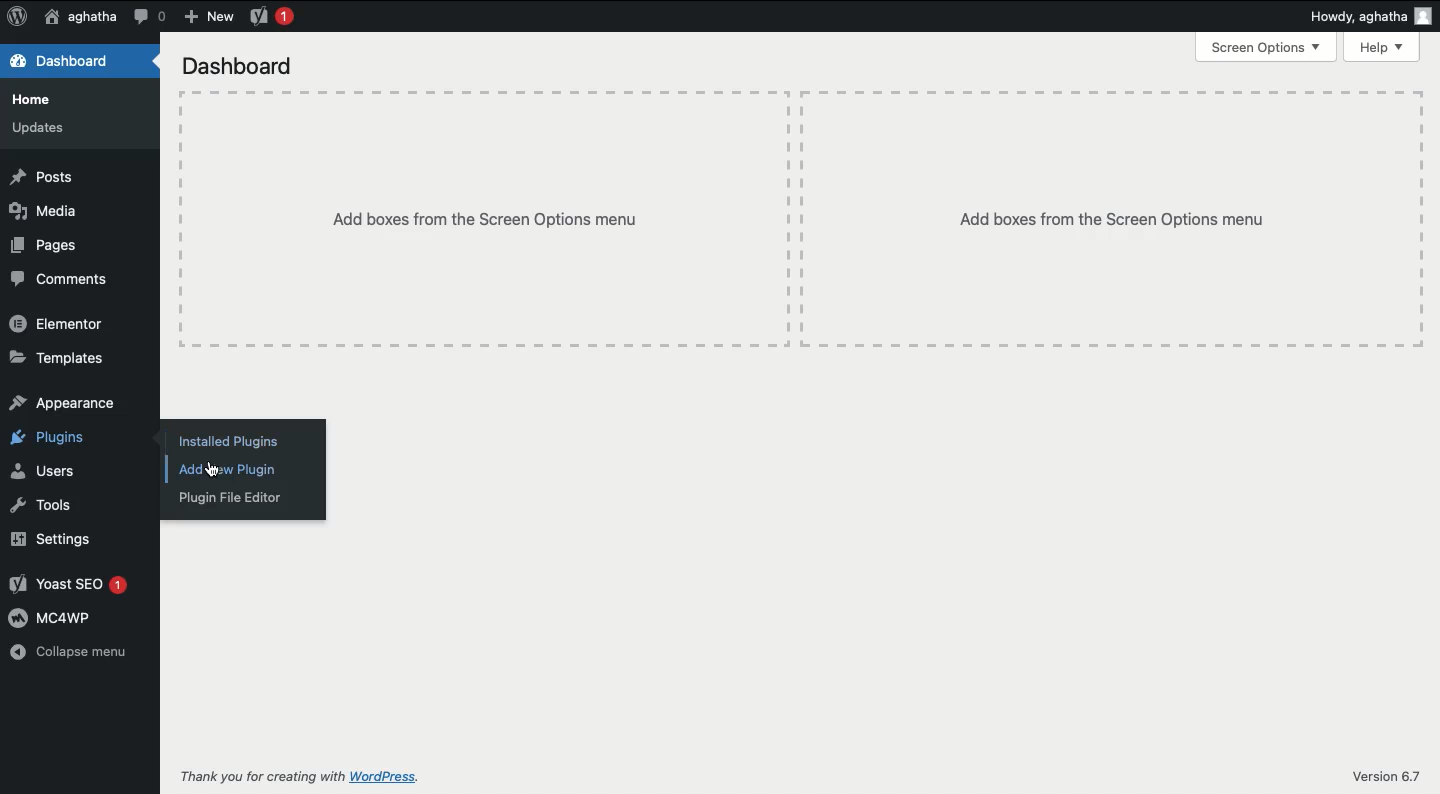 This screenshot has height=794, width=1440. Describe the element at coordinates (494, 225) in the screenshot. I see `Add boxes from the screen option menu` at that location.